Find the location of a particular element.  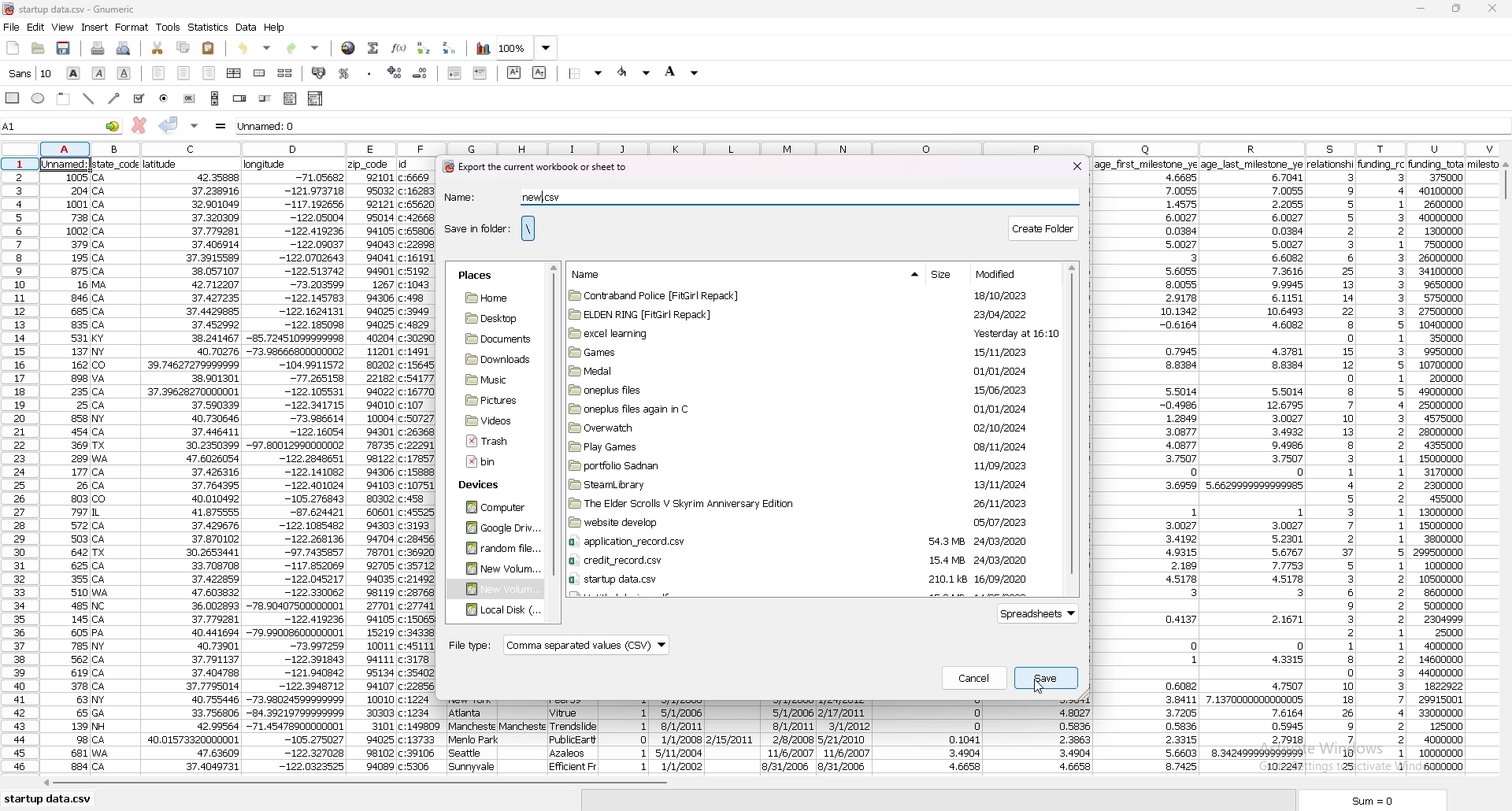

edit is located at coordinates (36, 28).